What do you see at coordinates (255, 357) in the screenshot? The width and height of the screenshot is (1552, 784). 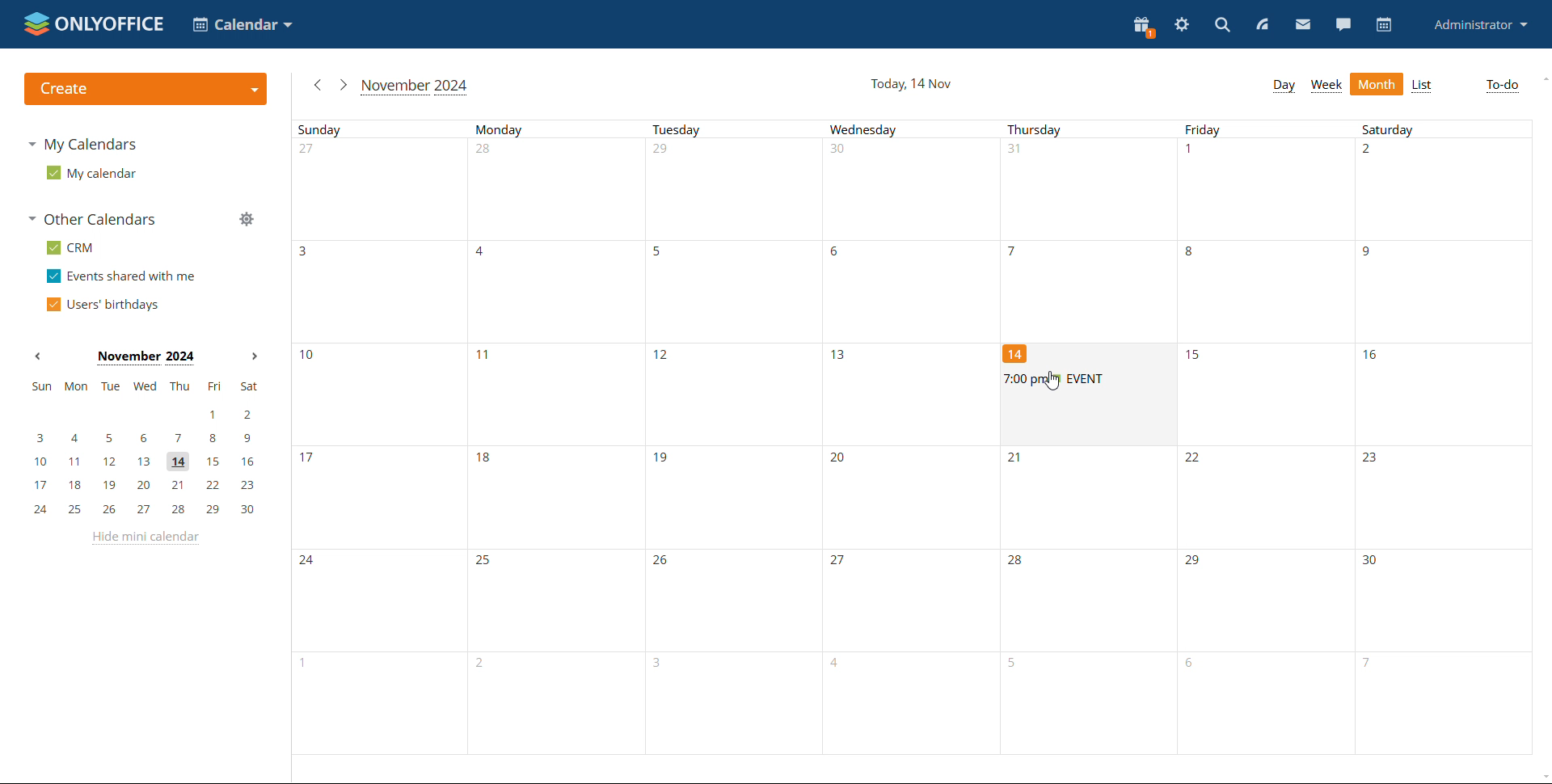 I see `next month` at bounding box center [255, 357].